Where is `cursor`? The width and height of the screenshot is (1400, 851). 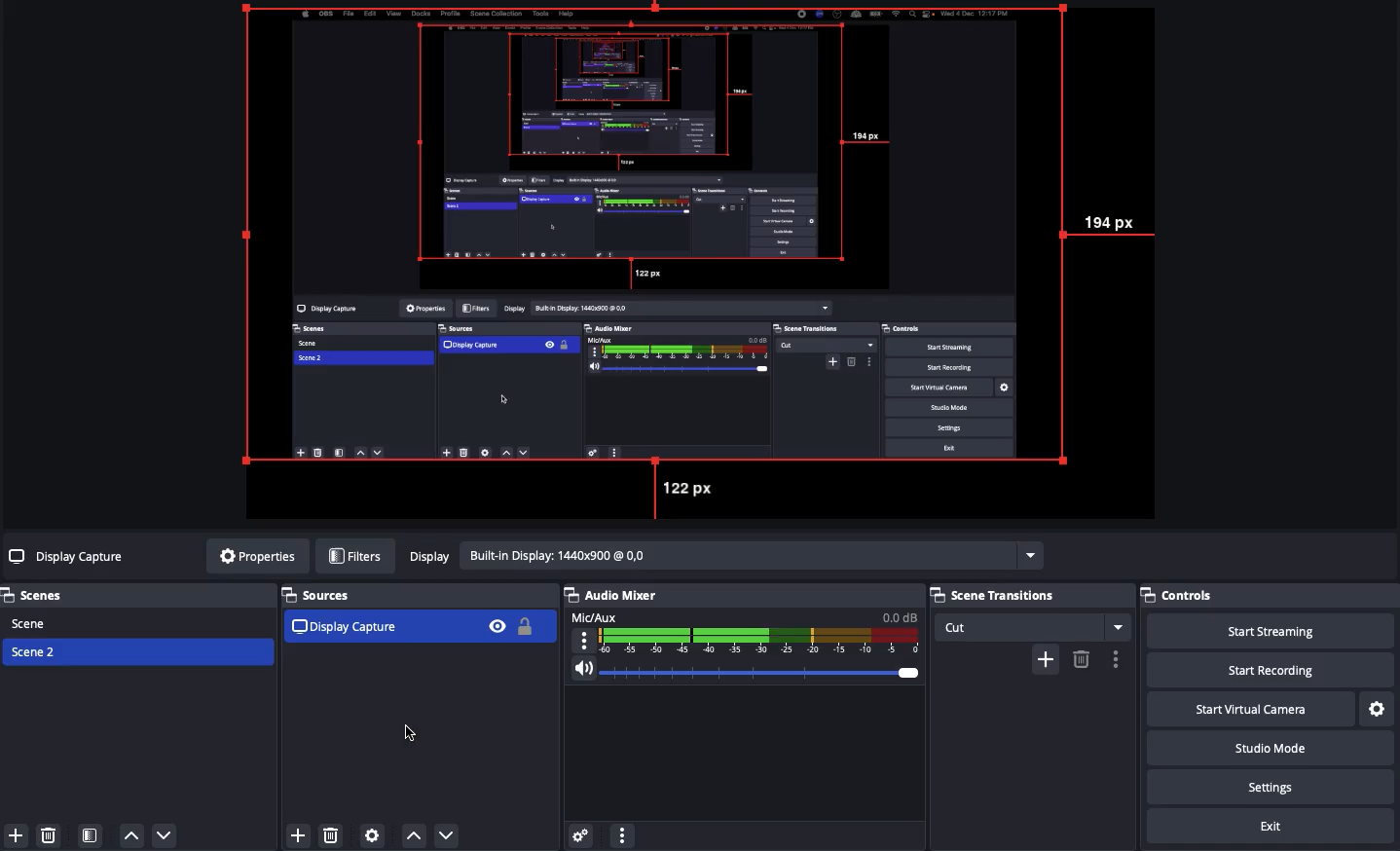
cursor is located at coordinates (407, 732).